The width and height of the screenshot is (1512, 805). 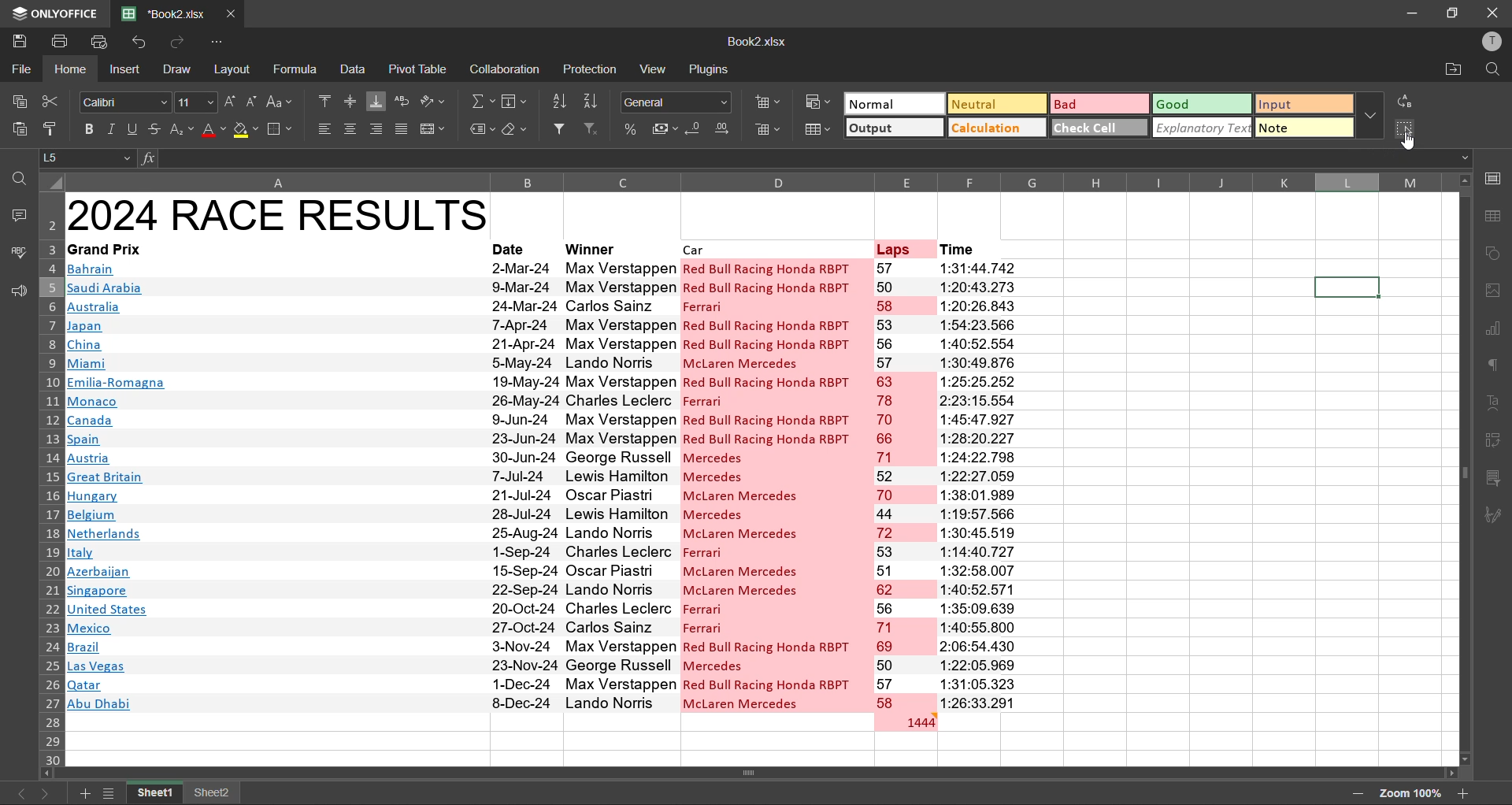 What do you see at coordinates (58, 42) in the screenshot?
I see `print` at bounding box center [58, 42].